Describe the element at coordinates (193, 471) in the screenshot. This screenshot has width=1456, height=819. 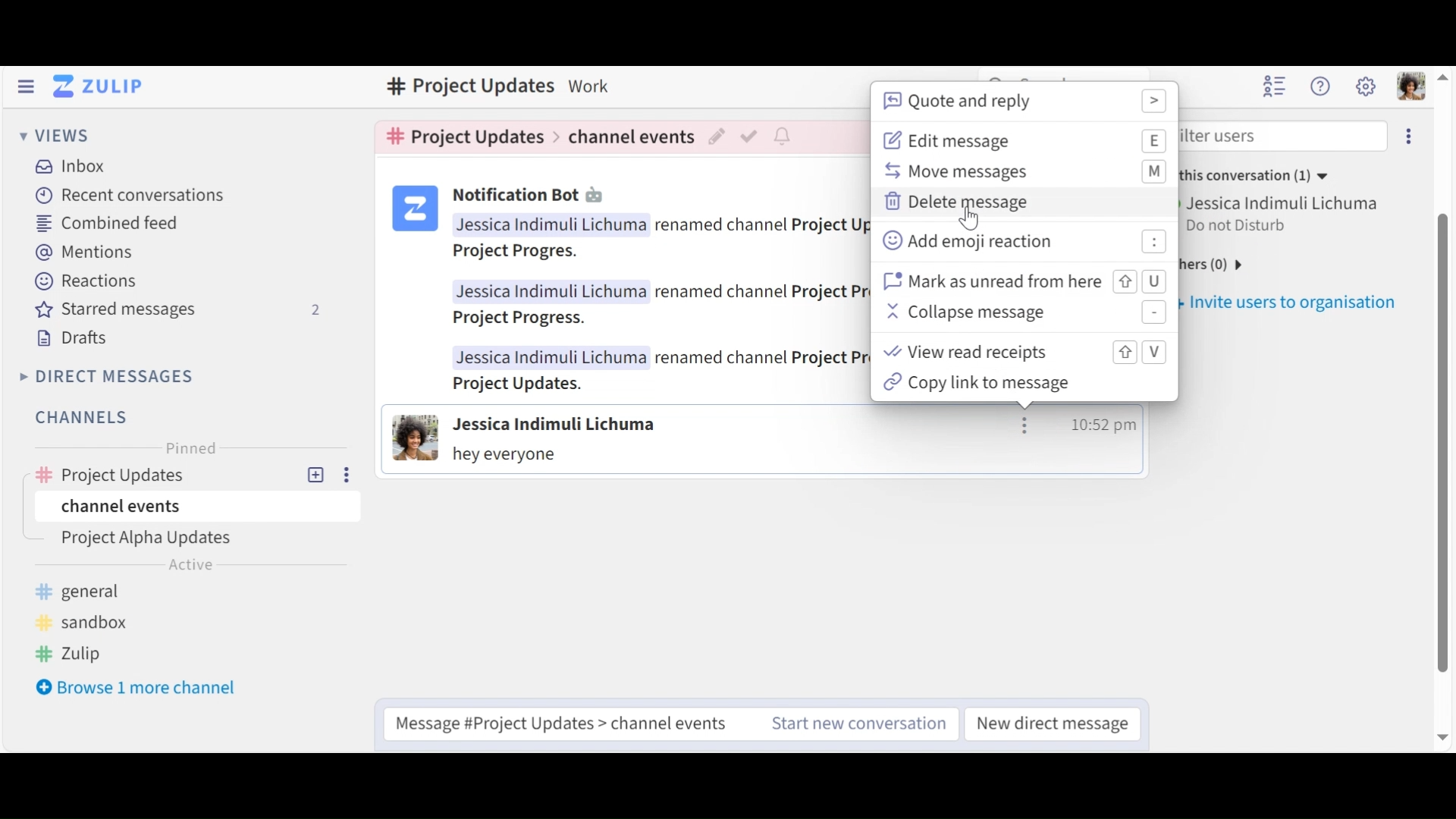
I see `Channel` at that location.